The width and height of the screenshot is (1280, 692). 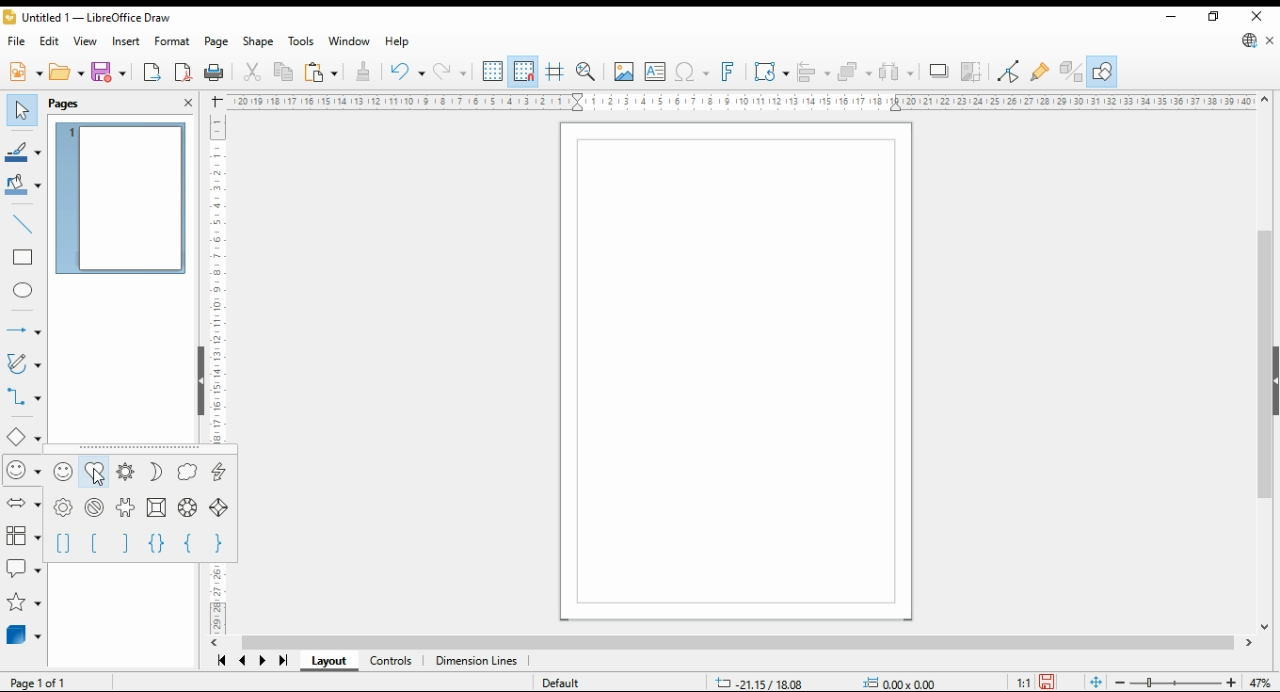 What do you see at coordinates (737, 372) in the screenshot?
I see `Page` at bounding box center [737, 372].